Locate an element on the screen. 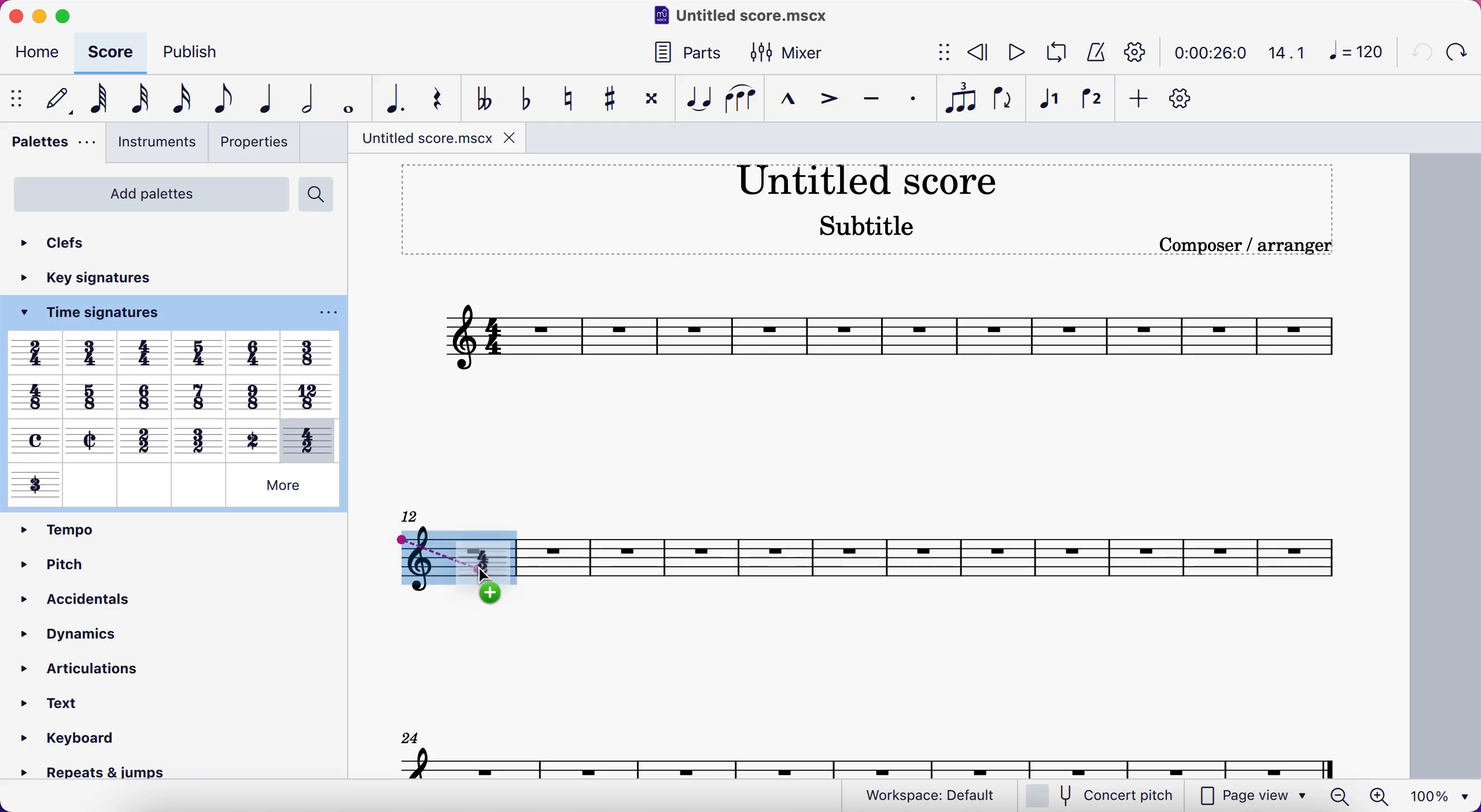 Image resolution: width=1481 pixels, height=812 pixels. text is located at coordinates (57, 701).